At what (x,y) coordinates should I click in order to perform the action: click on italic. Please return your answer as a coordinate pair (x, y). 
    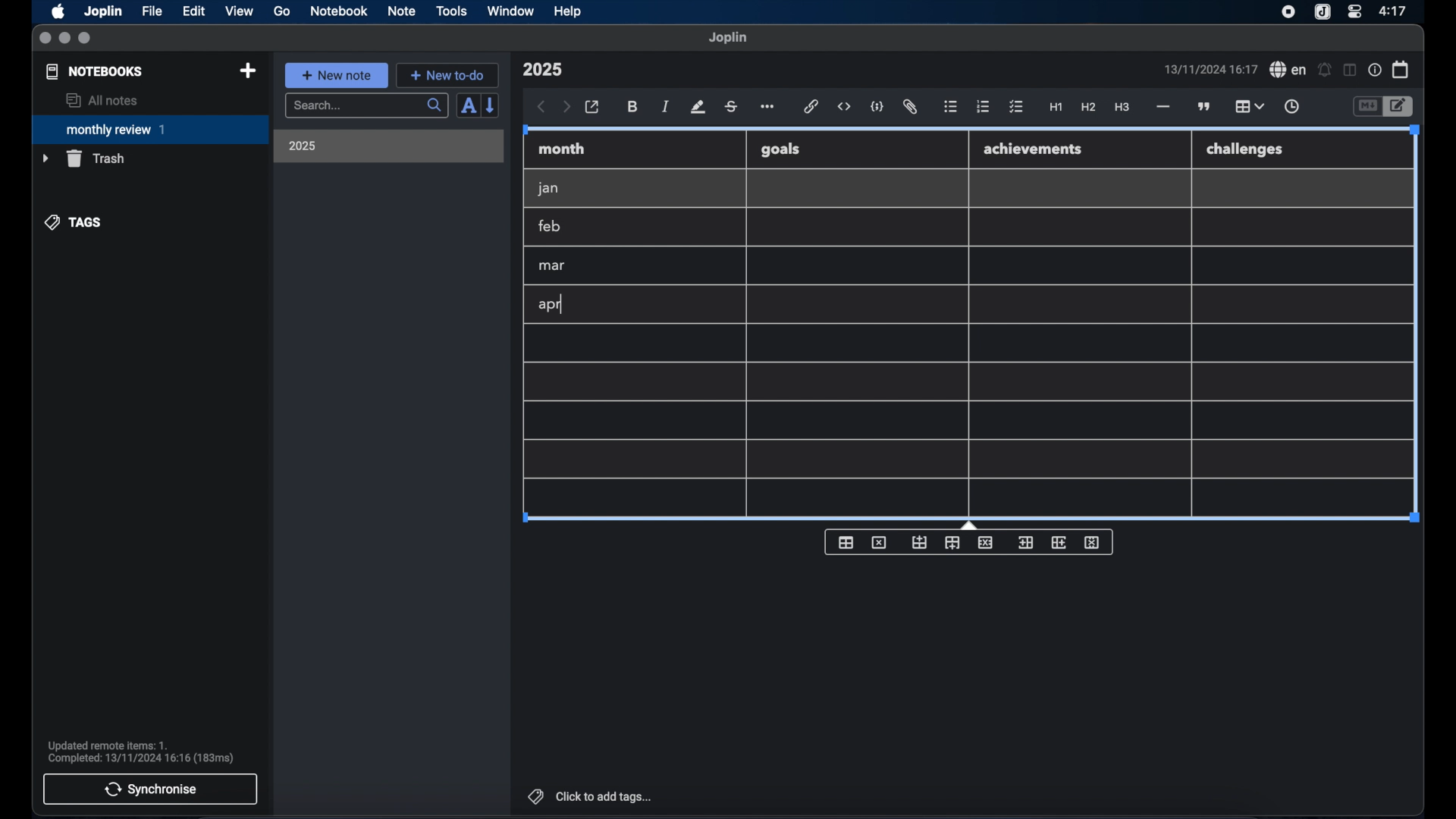
    Looking at the image, I should click on (666, 106).